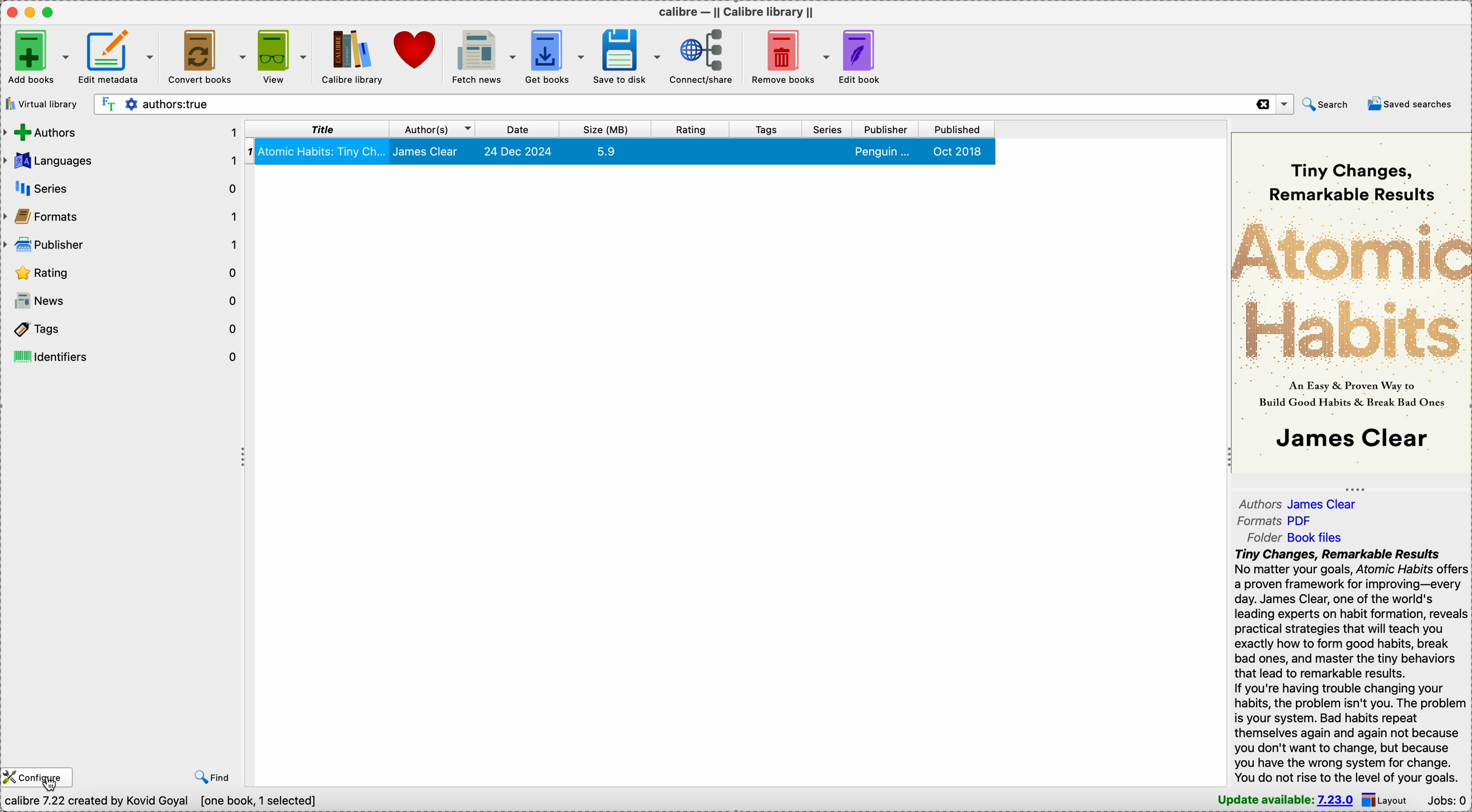 Image resolution: width=1472 pixels, height=812 pixels. What do you see at coordinates (691, 104) in the screenshot?
I see `search bar` at bounding box center [691, 104].